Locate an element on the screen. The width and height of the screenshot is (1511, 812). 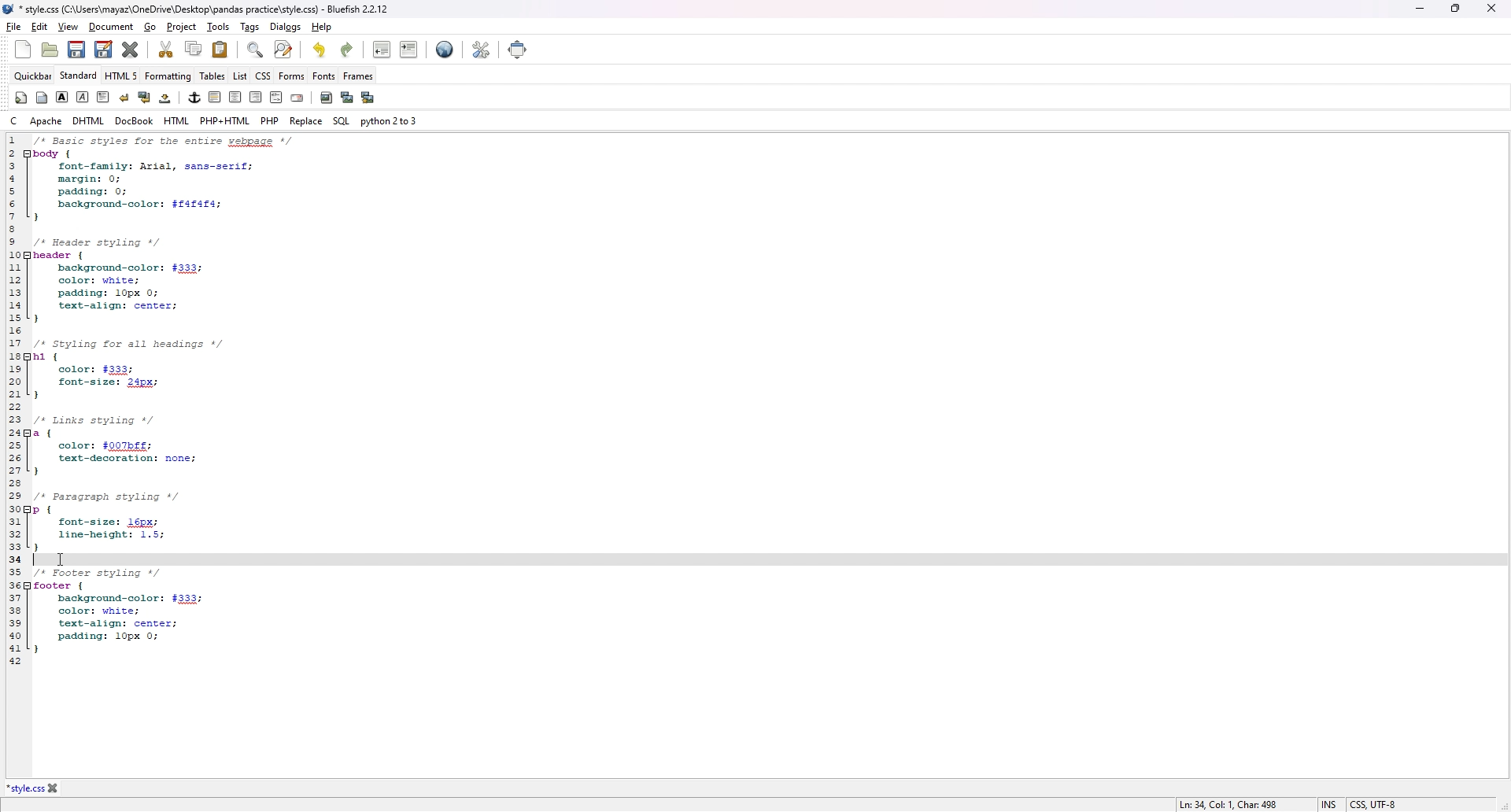
save as is located at coordinates (105, 50).